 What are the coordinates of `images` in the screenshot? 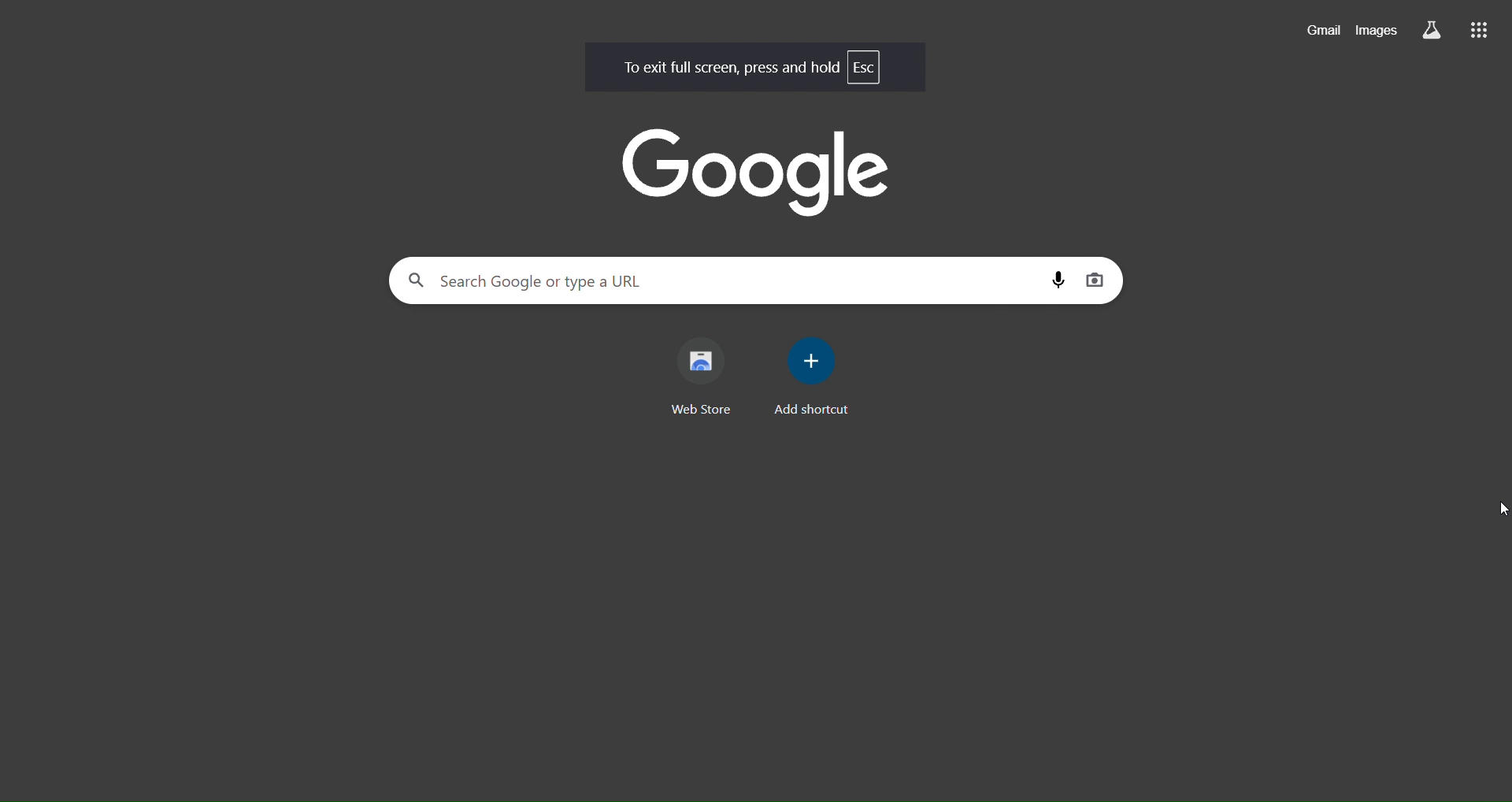 It's located at (1378, 29).